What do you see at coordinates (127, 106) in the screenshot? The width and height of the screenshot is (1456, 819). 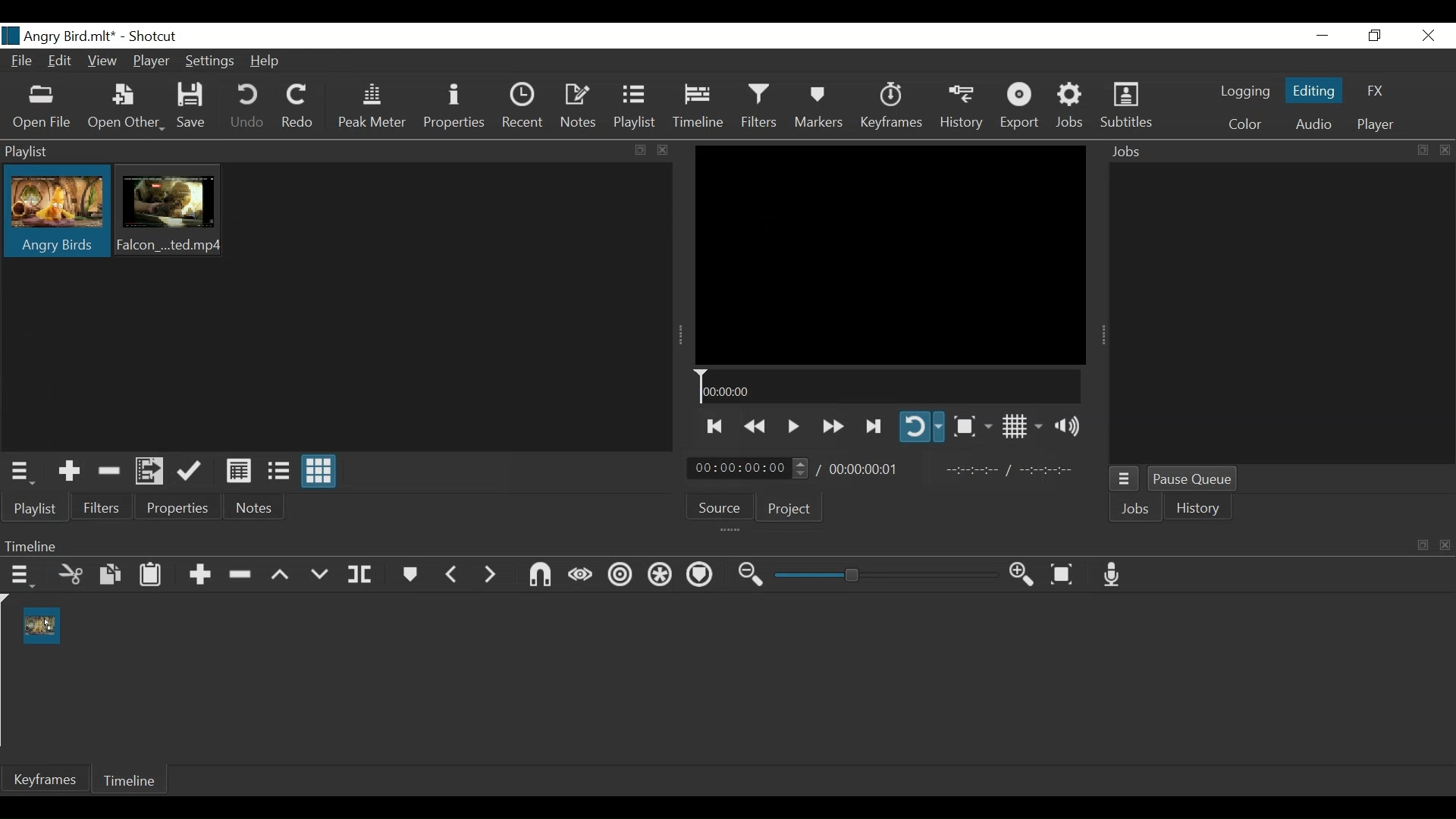 I see `Open Other` at bounding box center [127, 106].